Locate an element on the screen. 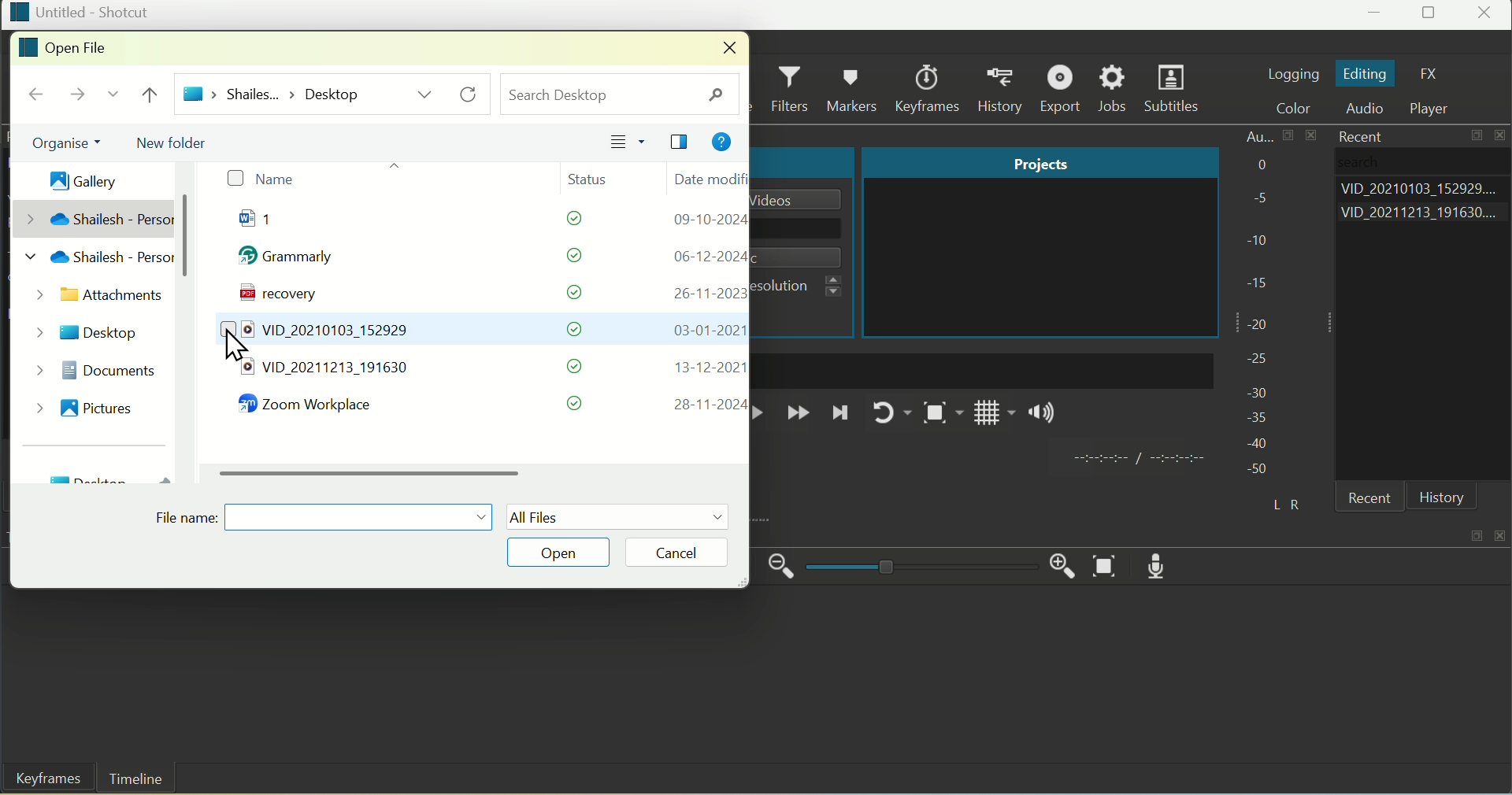 The height and width of the screenshot is (795, 1512). date is located at coordinates (703, 368).